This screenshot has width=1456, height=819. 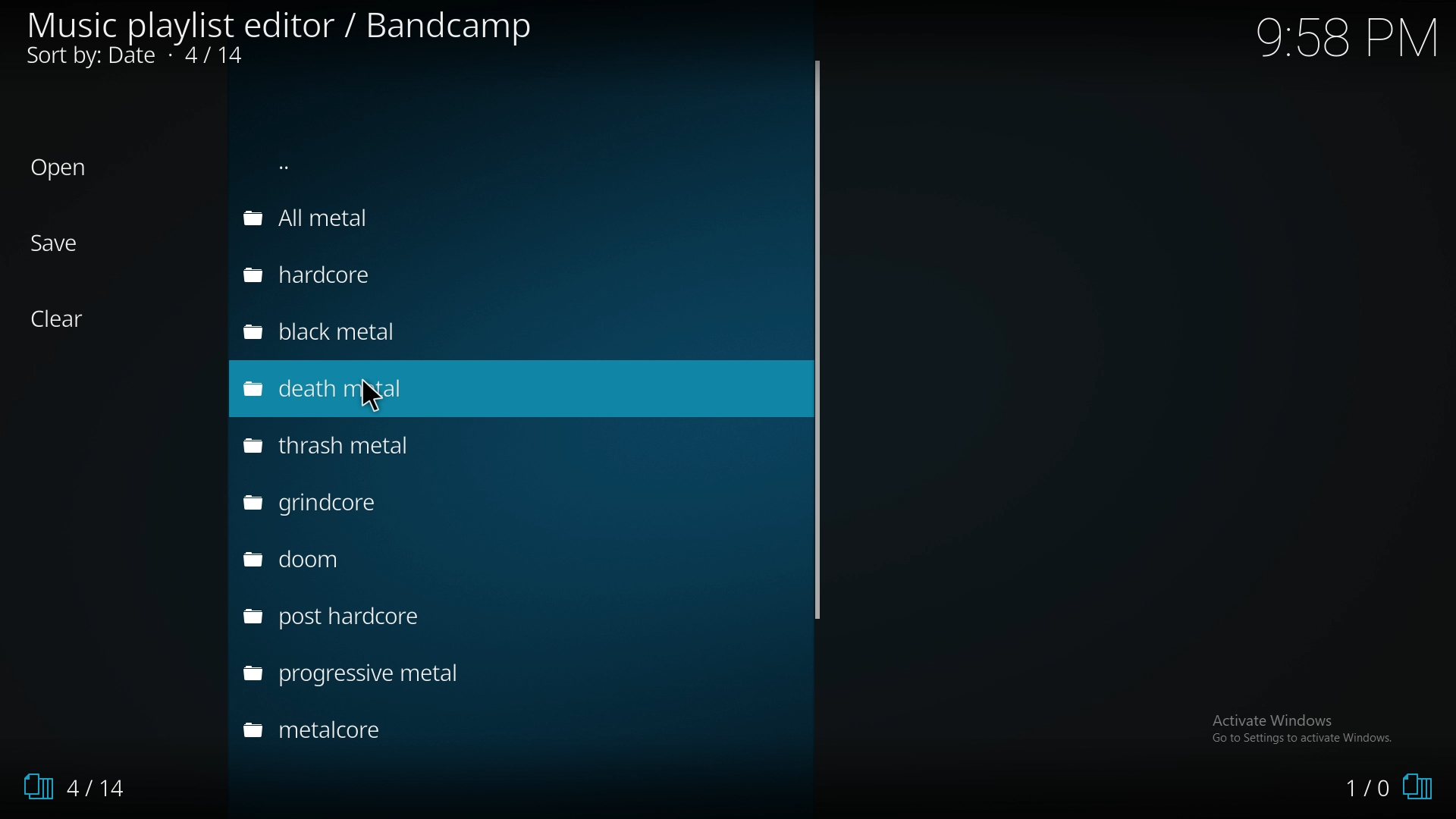 What do you see at coordinates (68, 787) in the screenshot?
I see `1/3` at bounding box center [68, 787].